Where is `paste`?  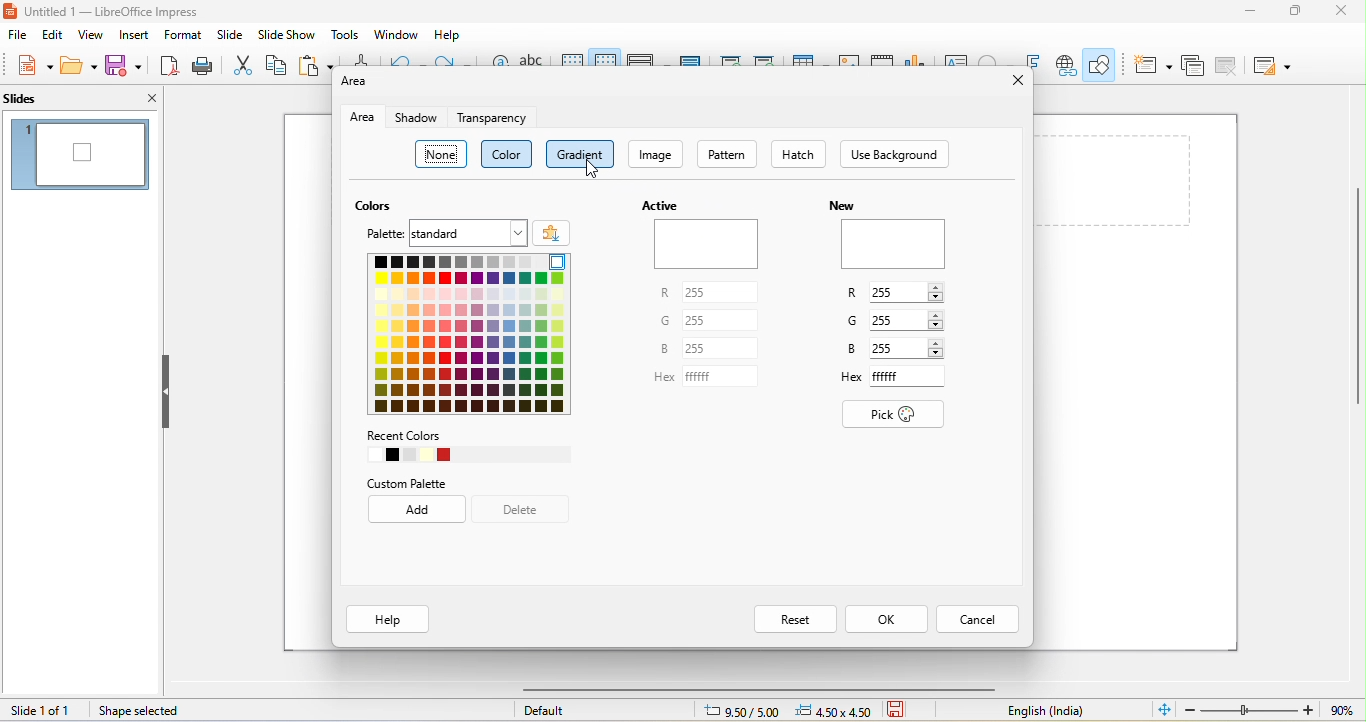
paste is located at coordinates (317, 64).